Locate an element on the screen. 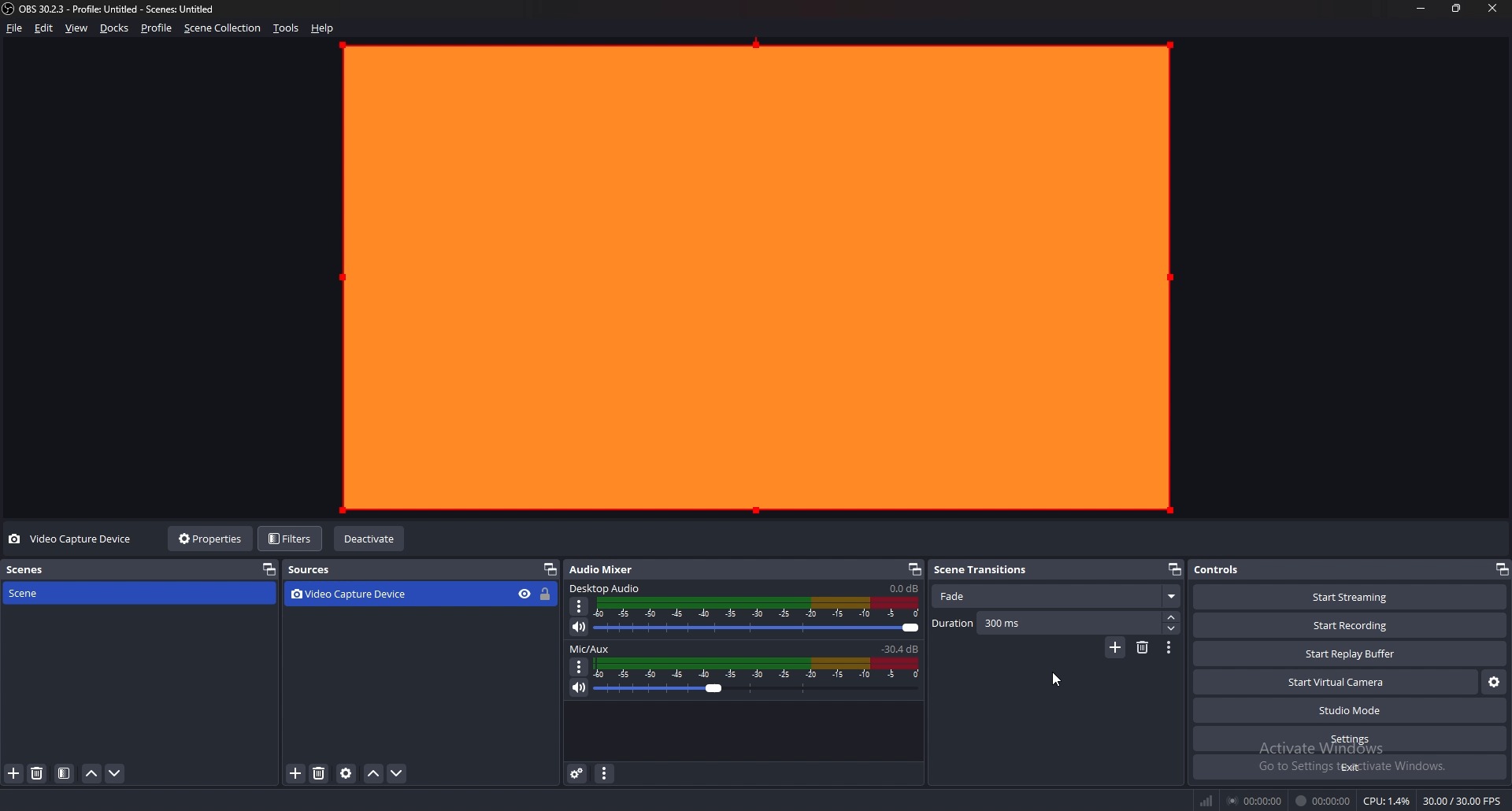  options is located at coordinates (578, 607).